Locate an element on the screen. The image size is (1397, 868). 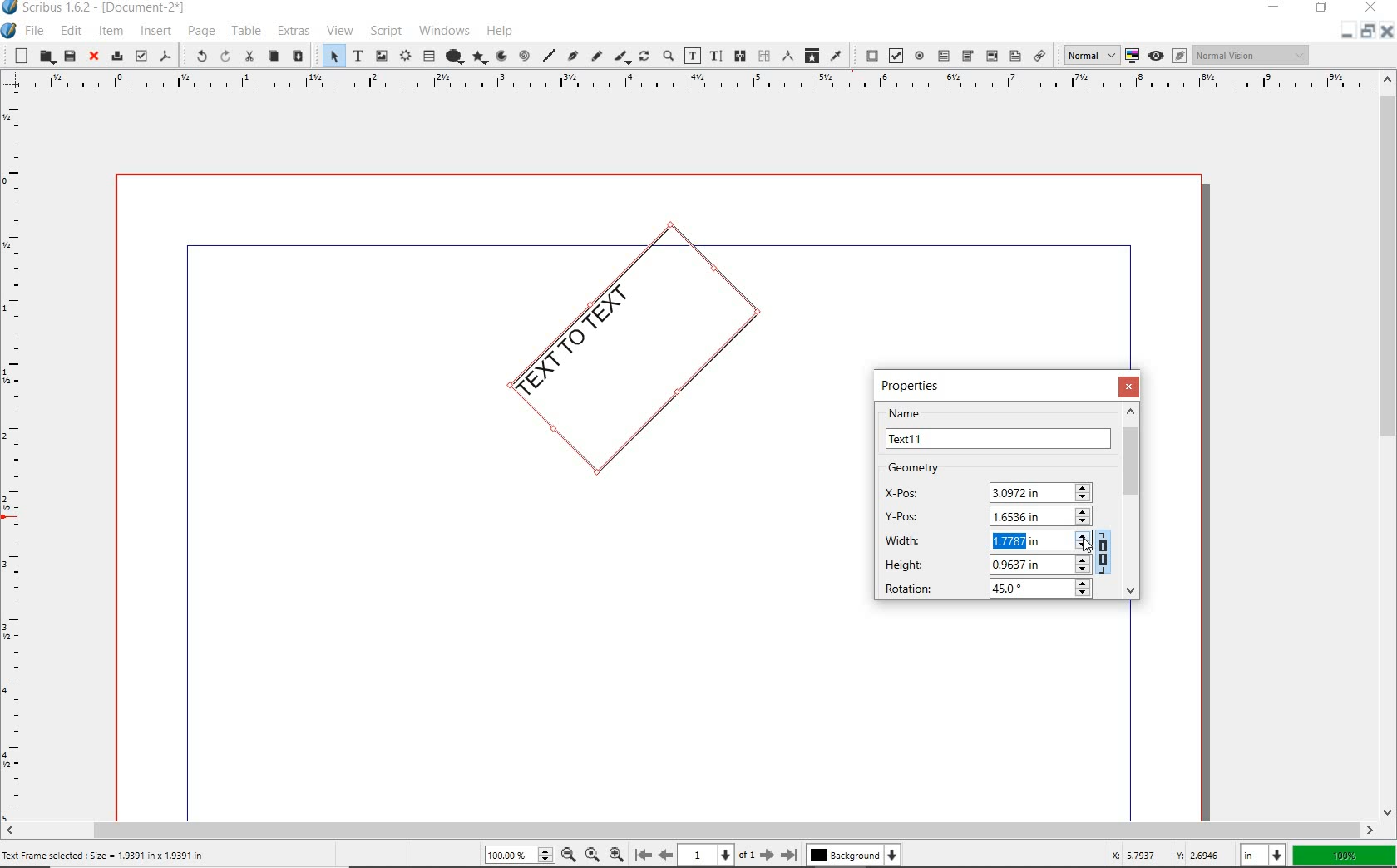
TEXT ROTATED AND SCALED is located at coordinates (609, 362).